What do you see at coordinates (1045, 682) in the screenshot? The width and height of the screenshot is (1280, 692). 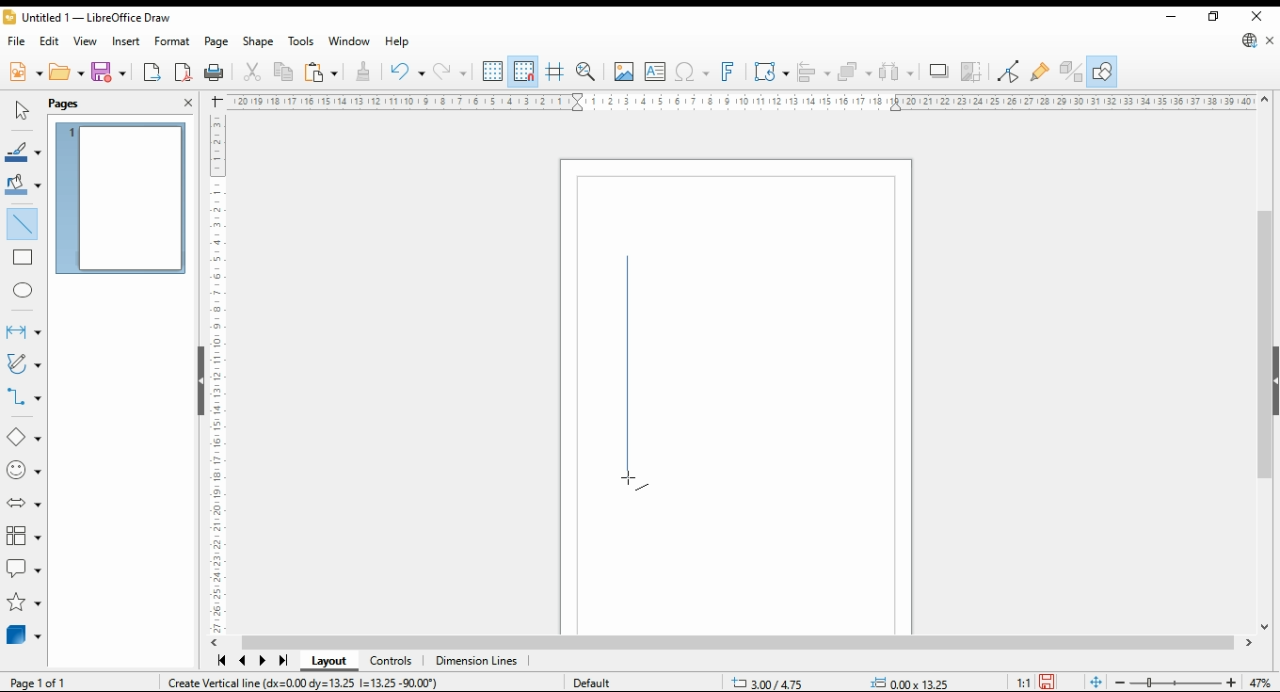 I see `save` at bounding box center [1045, 682].